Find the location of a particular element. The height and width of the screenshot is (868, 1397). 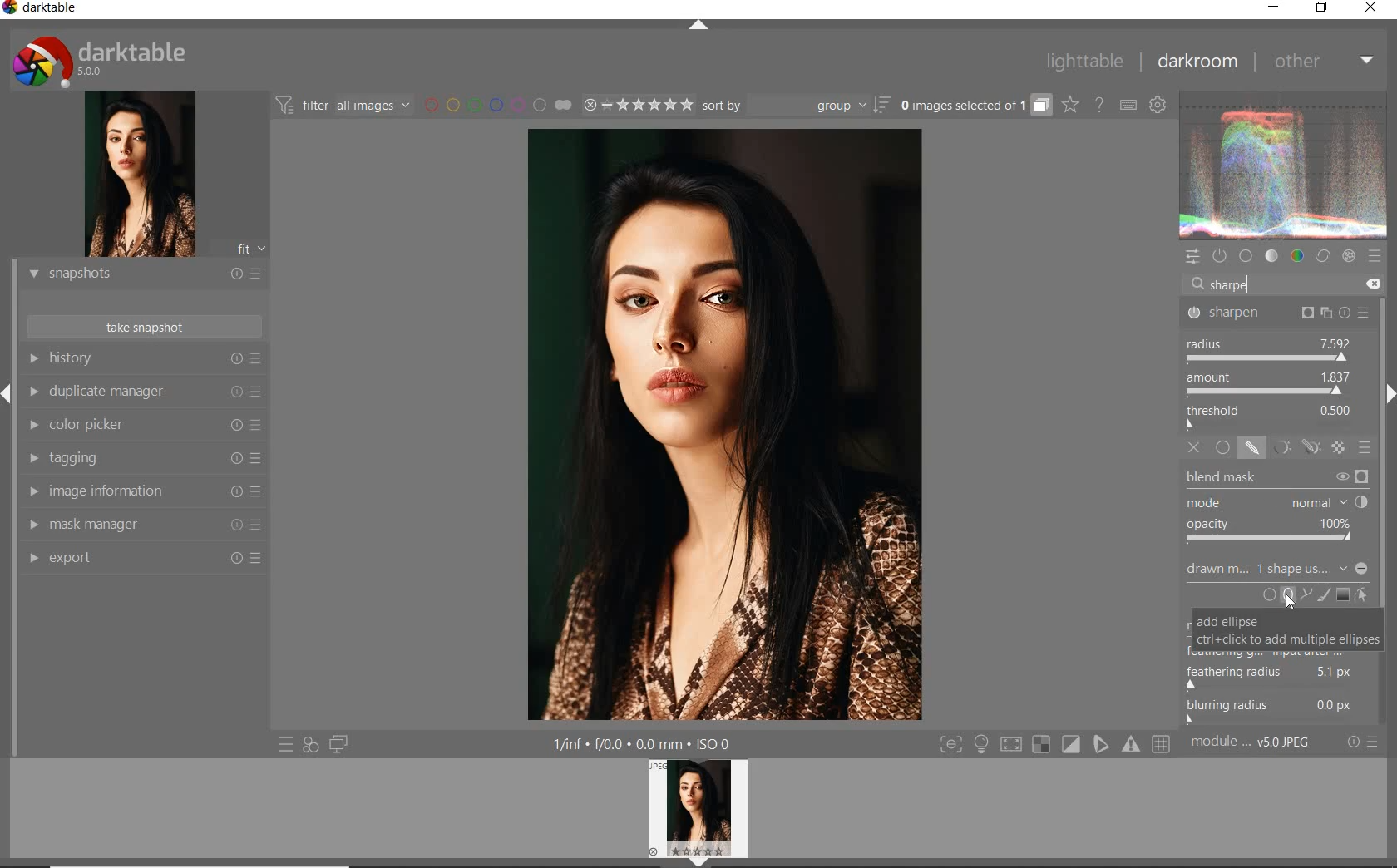

other display information is located at coordinates (646, 745).